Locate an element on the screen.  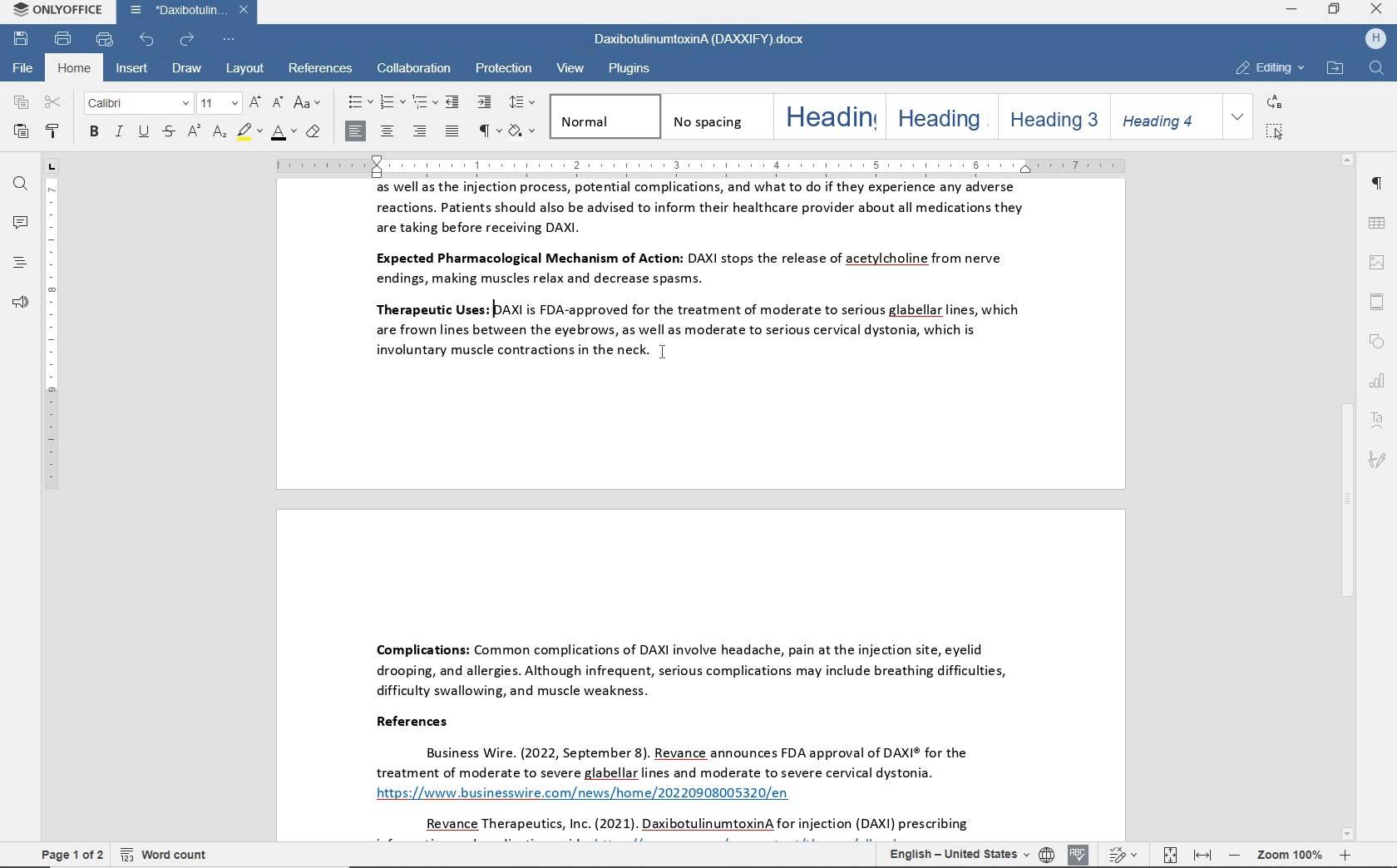
font color is located at coordinates (283, 135).